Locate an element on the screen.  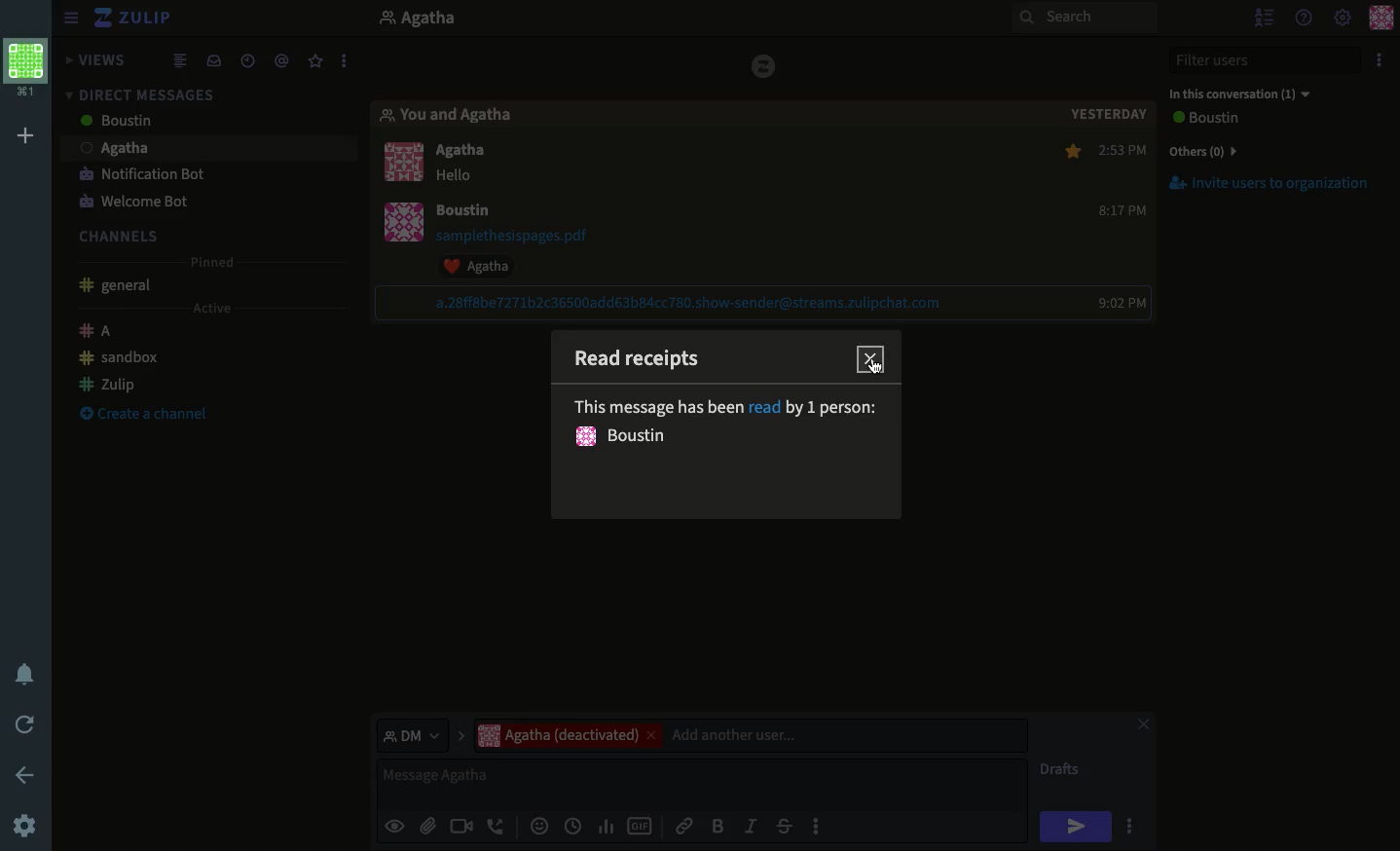
Hide menu is located at coordinates (71, 16).